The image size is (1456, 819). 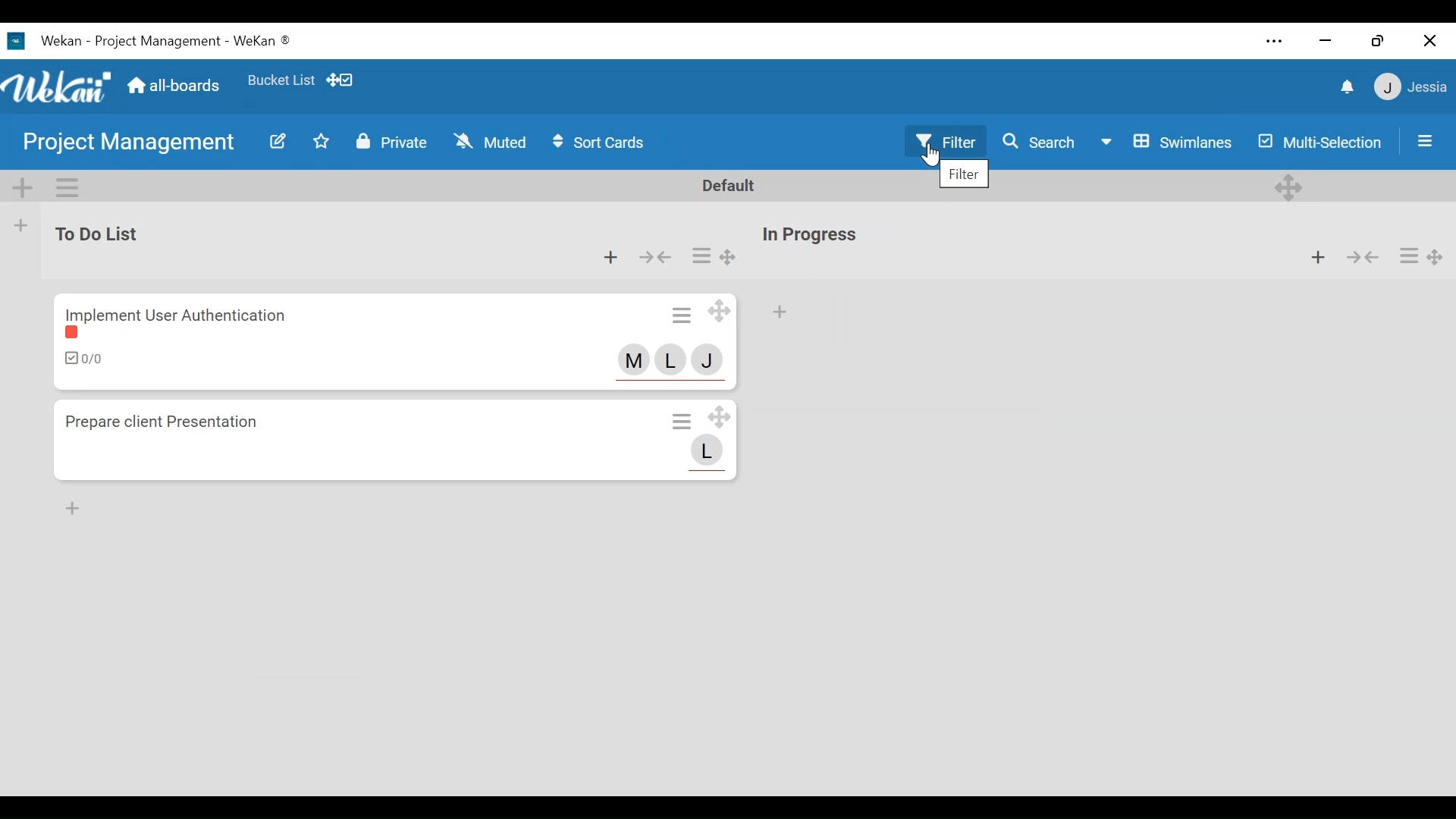 What do you see at coordinates (698, 257) in the screenshot?
I see `list actions` at bounding box center [698, 257].